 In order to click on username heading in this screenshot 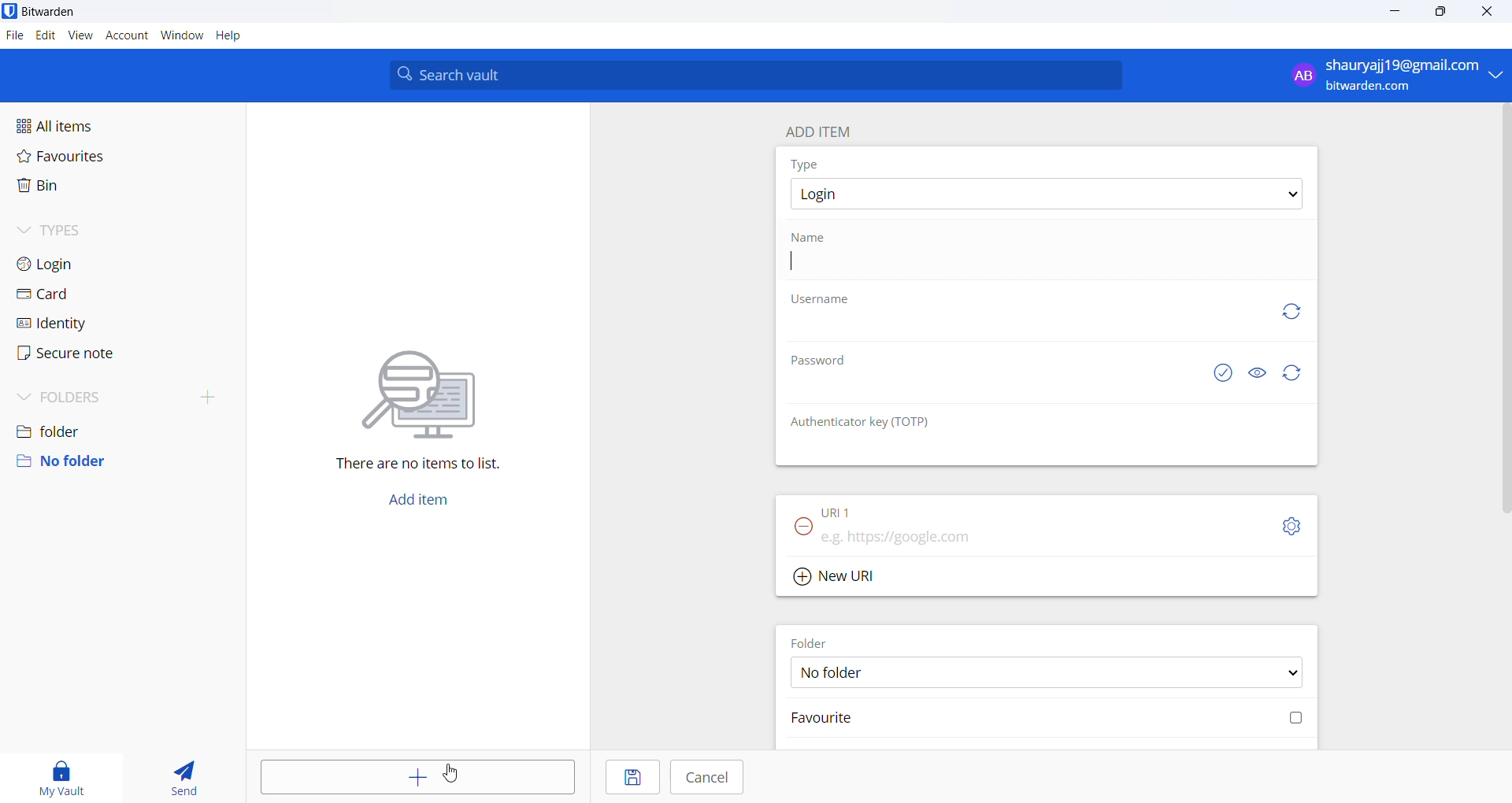, I will do `click(821, 301)`.